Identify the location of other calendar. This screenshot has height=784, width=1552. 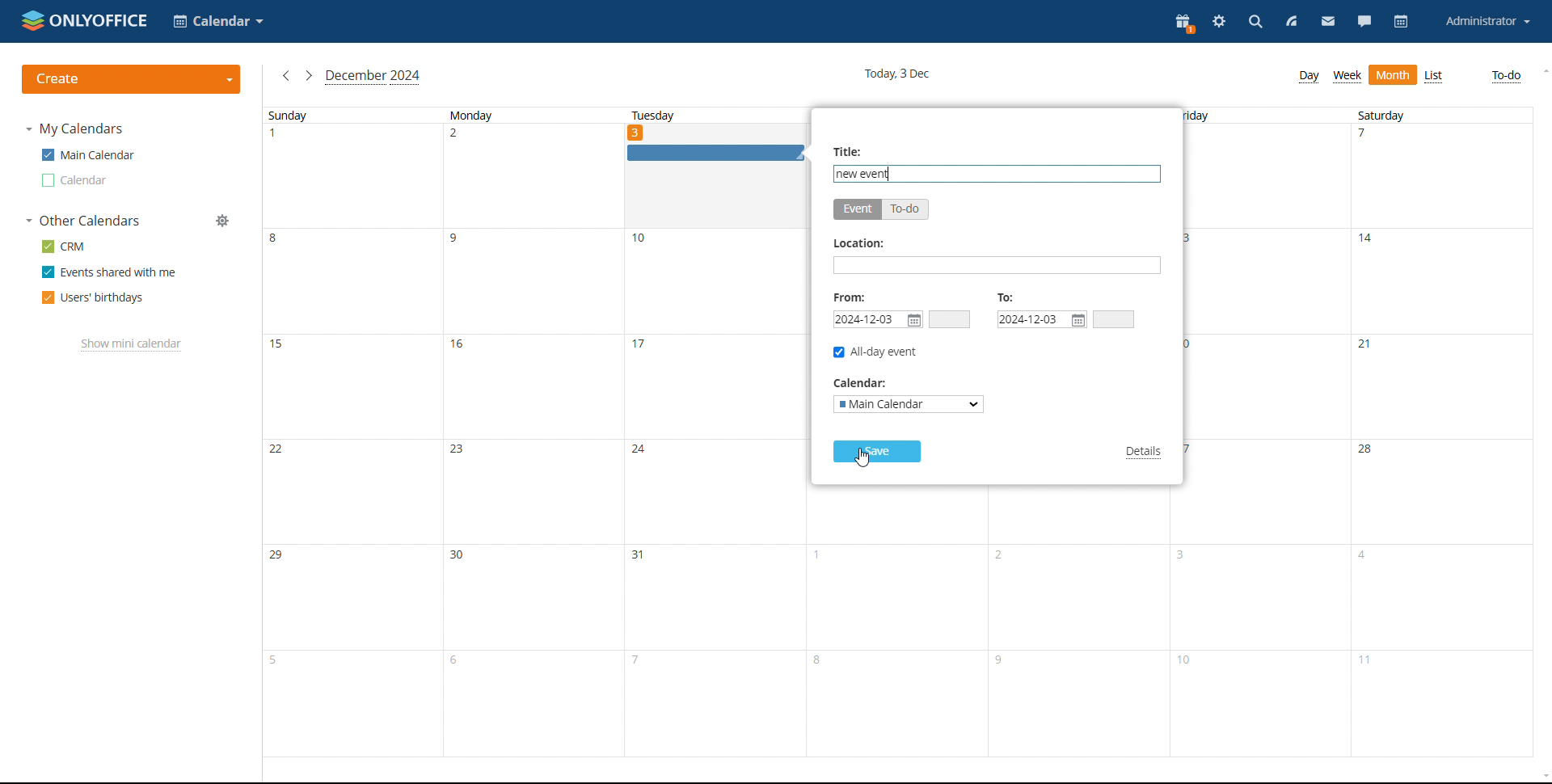
(74, 180).